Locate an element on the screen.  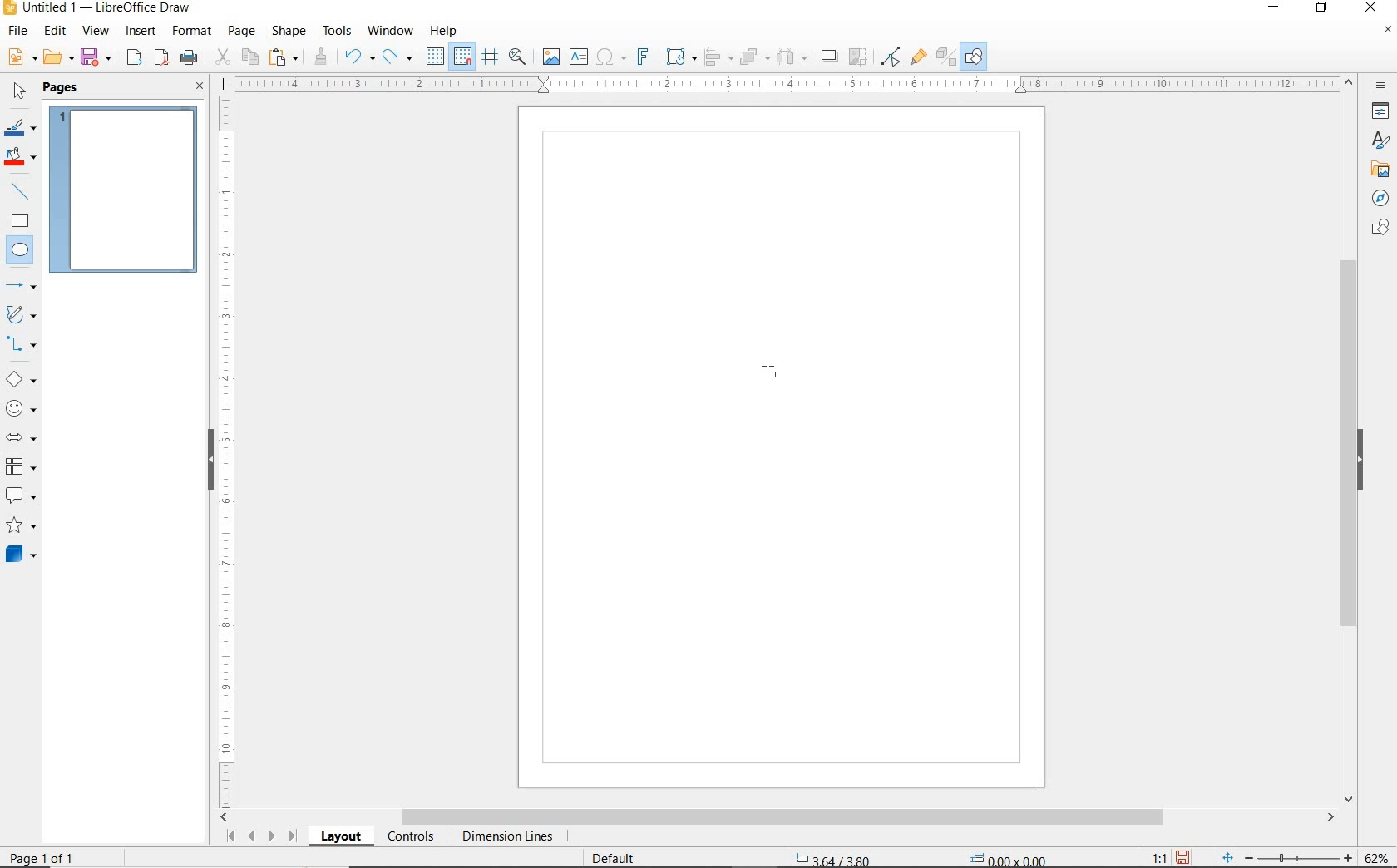
DEFAULT is located at coordinates (619, 856).